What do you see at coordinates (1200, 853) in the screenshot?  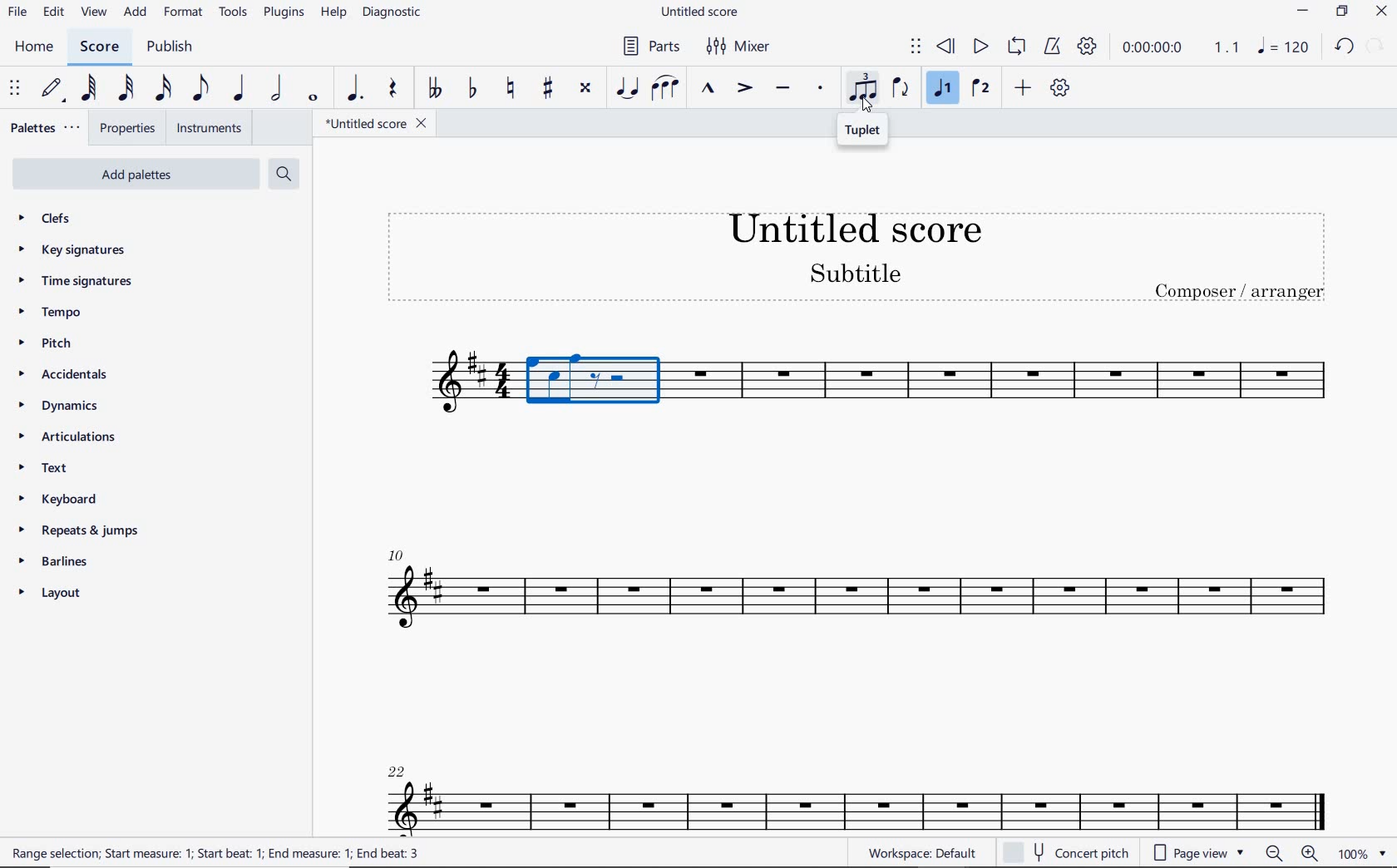 I see `PAGE VIEW` at bounding box center [1200, 853].